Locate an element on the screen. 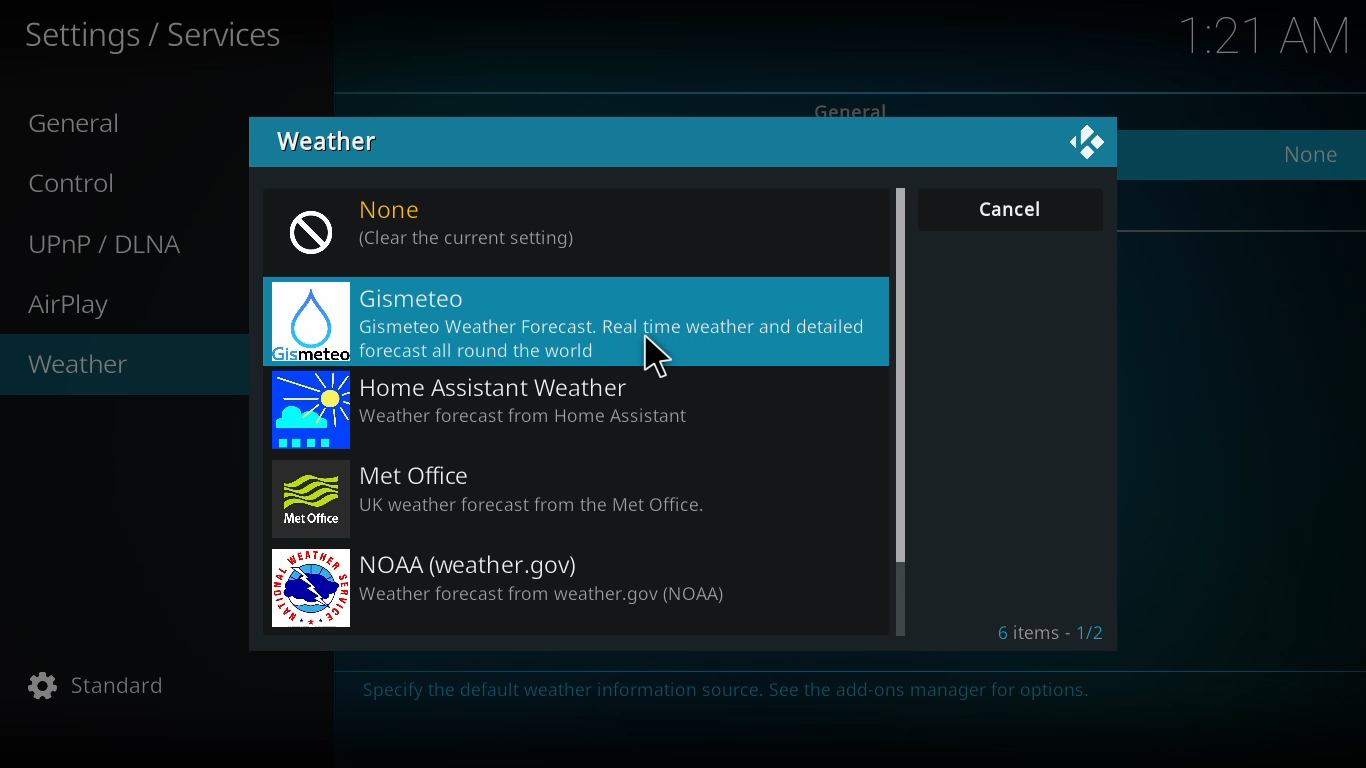 This screenshot has width=1366, height=768. cursor is located at coordinates (657, 355).